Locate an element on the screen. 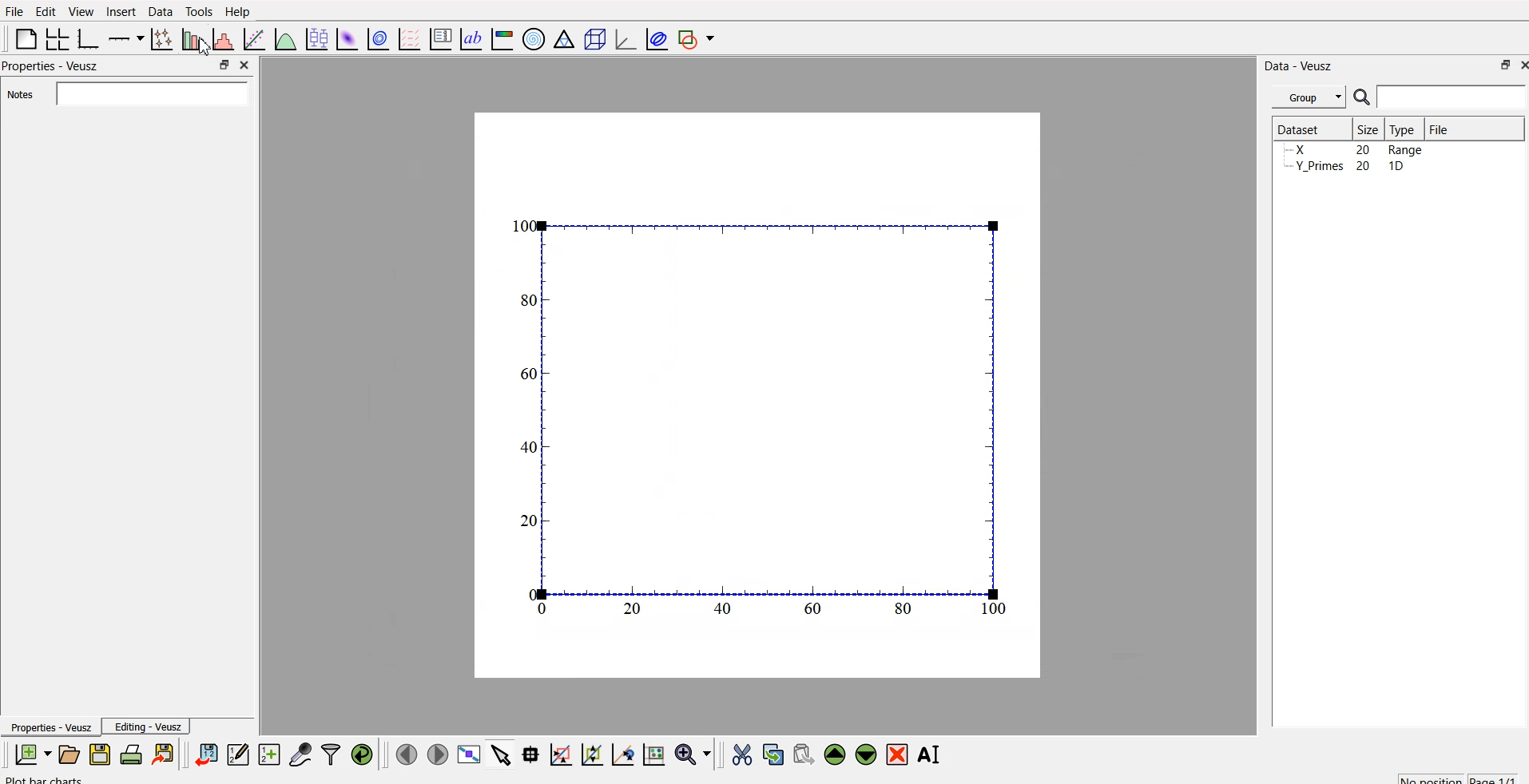 This screenshot has height=784, width=1529. draw points is located at coordinates (591, 754).